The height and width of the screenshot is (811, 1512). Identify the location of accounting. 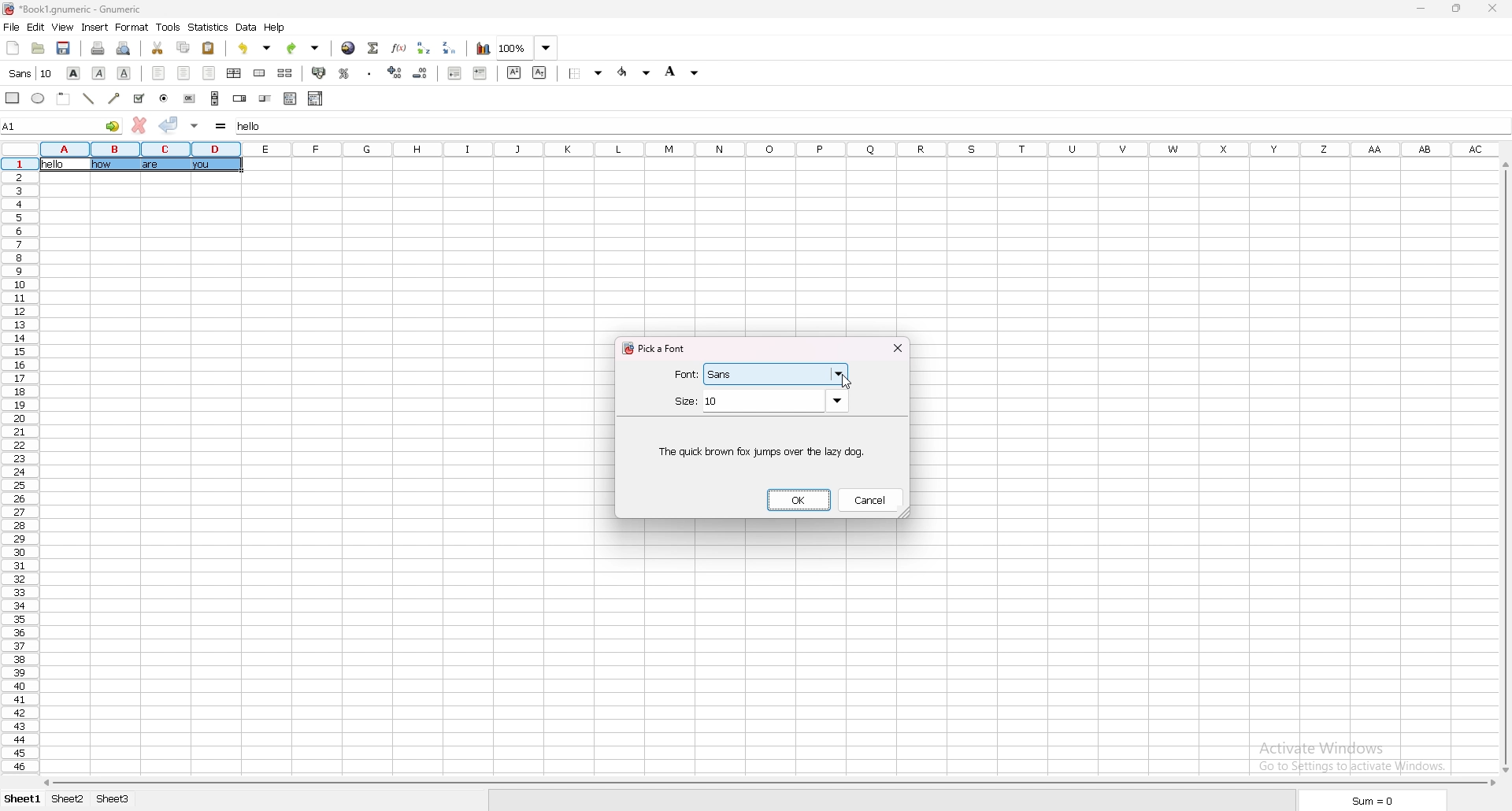
(321, 73).